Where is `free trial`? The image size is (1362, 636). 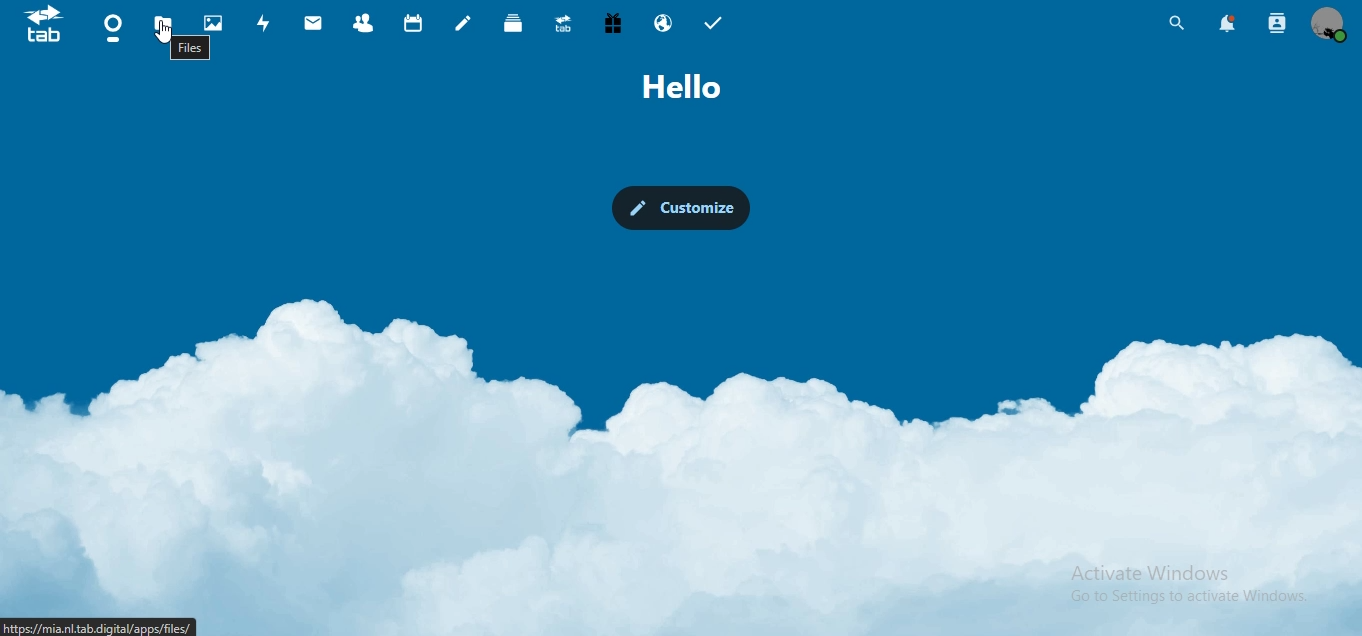 free trial is located at coordinates (613, 24).